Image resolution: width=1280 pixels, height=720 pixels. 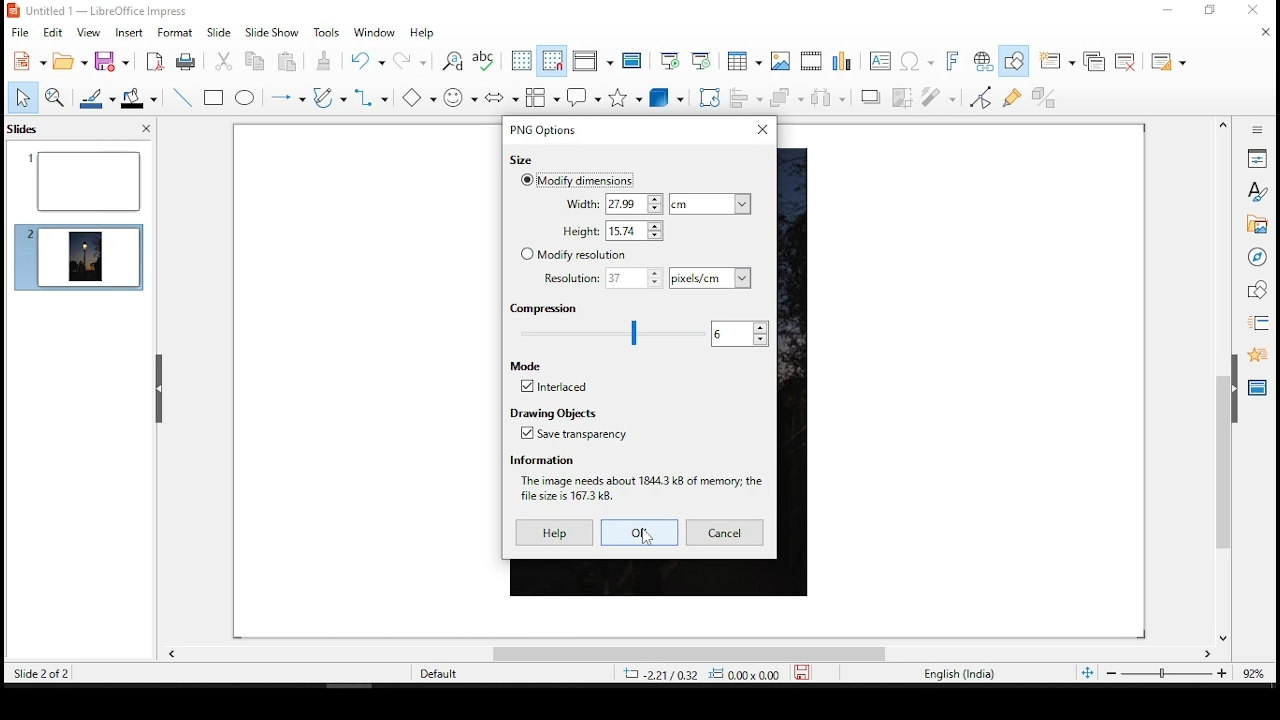 I want to click on show grid, so click(x=520, y=60).